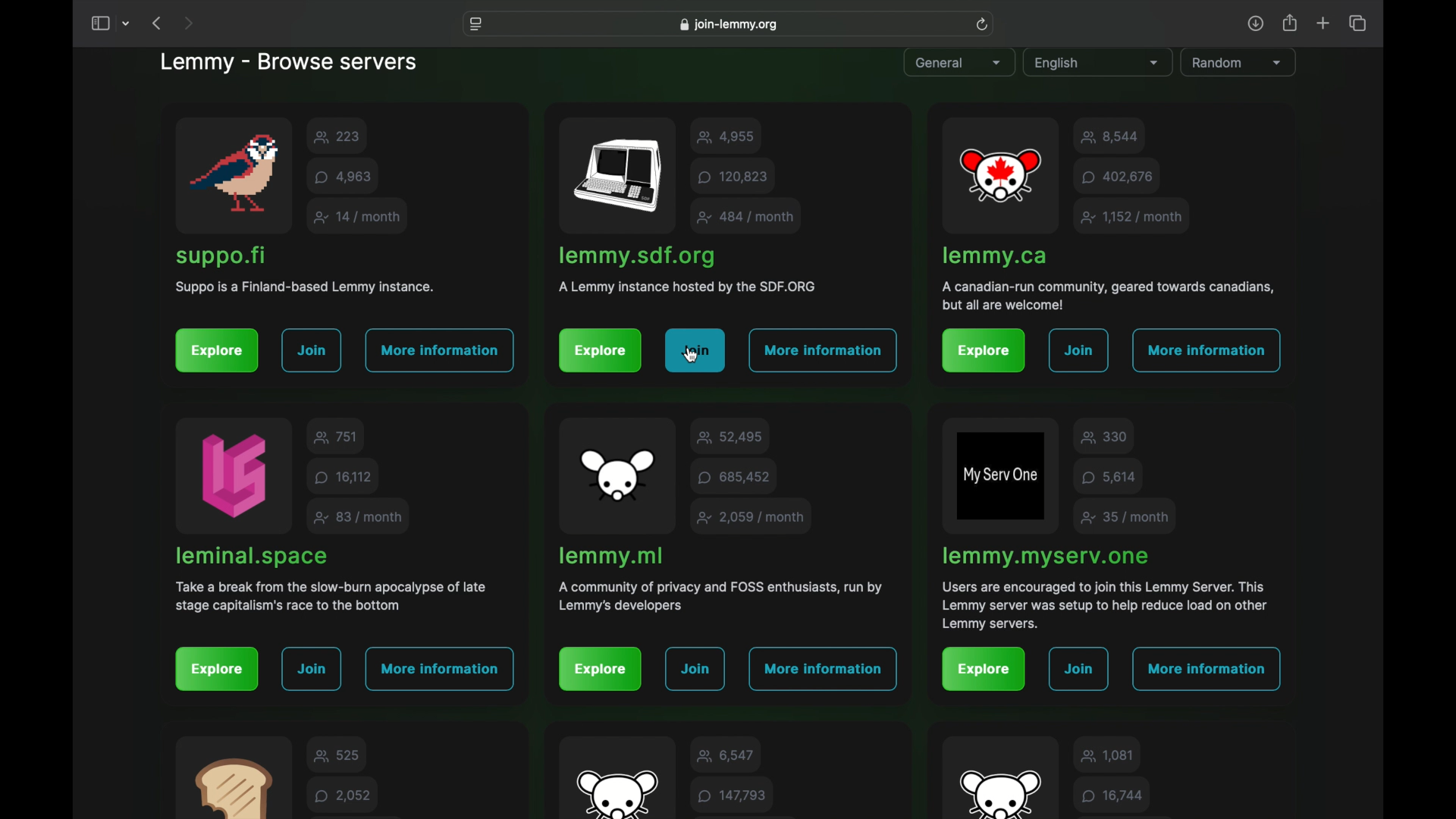 This screenshot has width=1456, height=819. Describe the element at coordinates (601, 351) in the screenshot. I see `explore` at that location.